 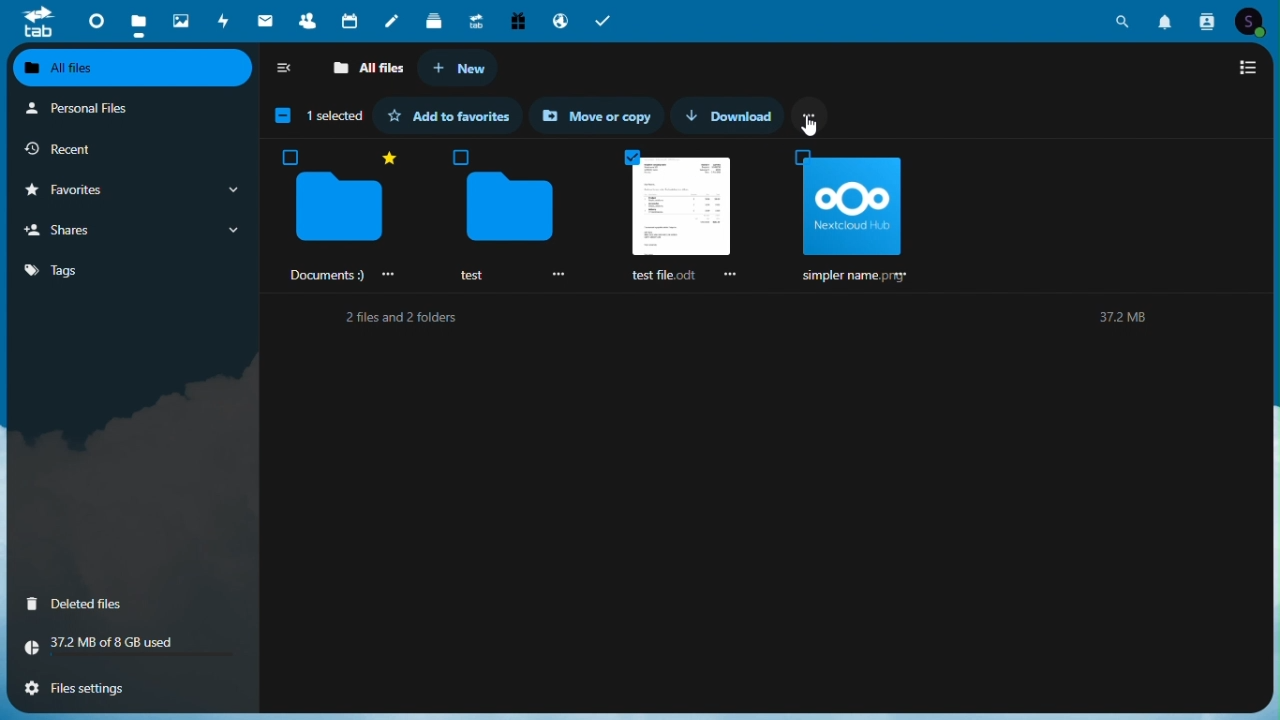 What do you see at coordinates (809, 117) in the screenshot?
I see `More options` at bounding box center [809, 117].